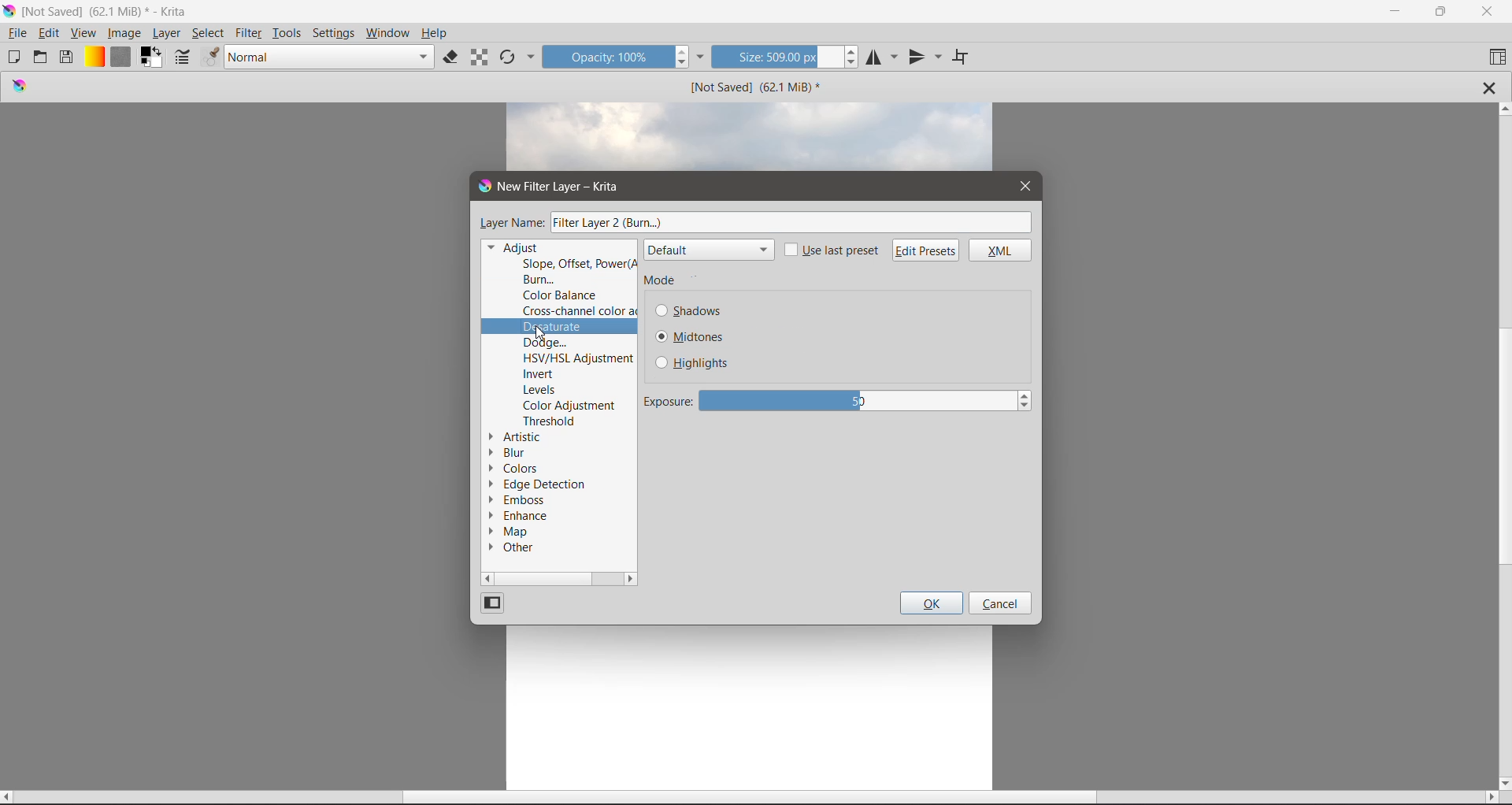 Image resolution: width=1512 pixels, height=805 pixels. I want to click on Fill Patterns, so click(120, 57).